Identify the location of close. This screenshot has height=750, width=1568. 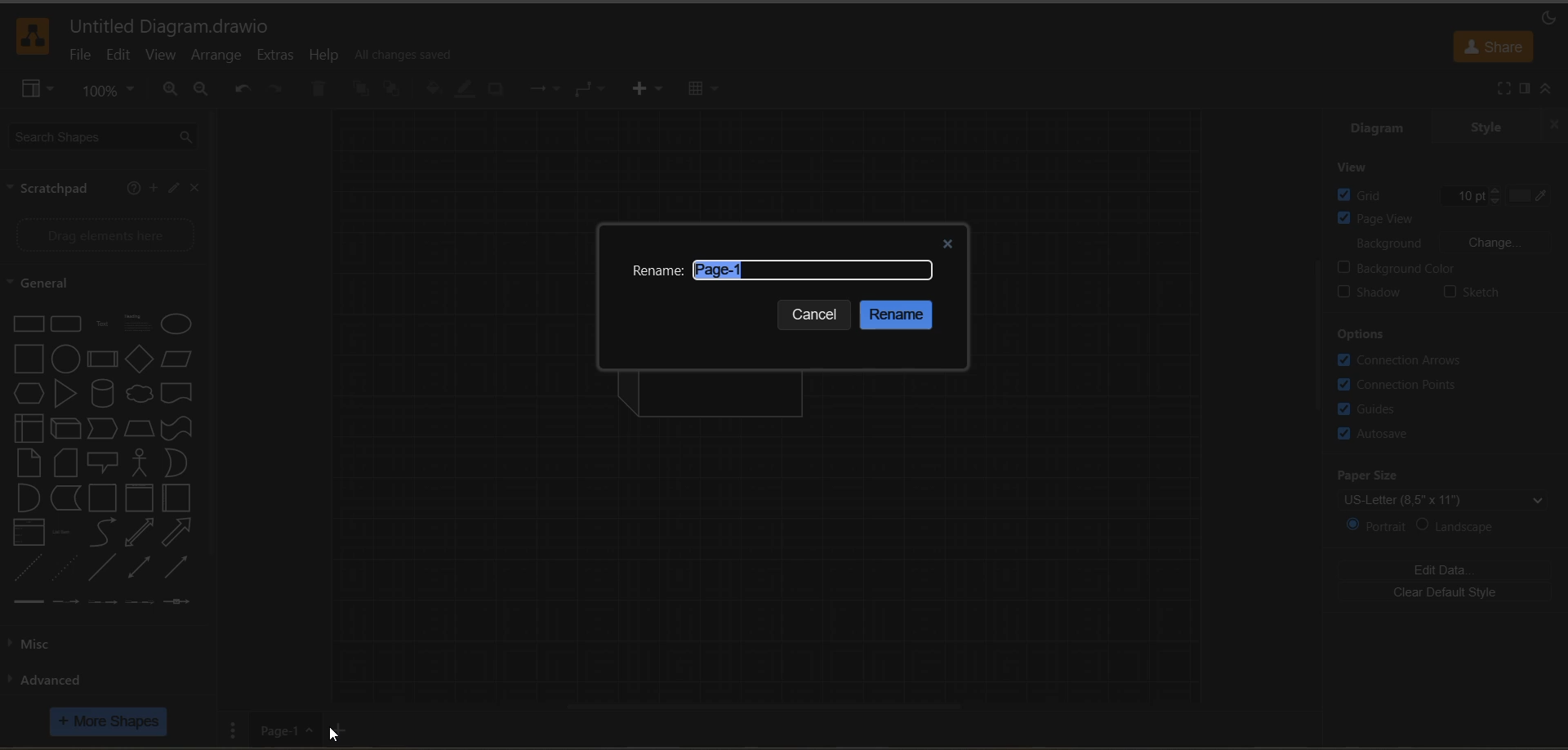
(196, 190).